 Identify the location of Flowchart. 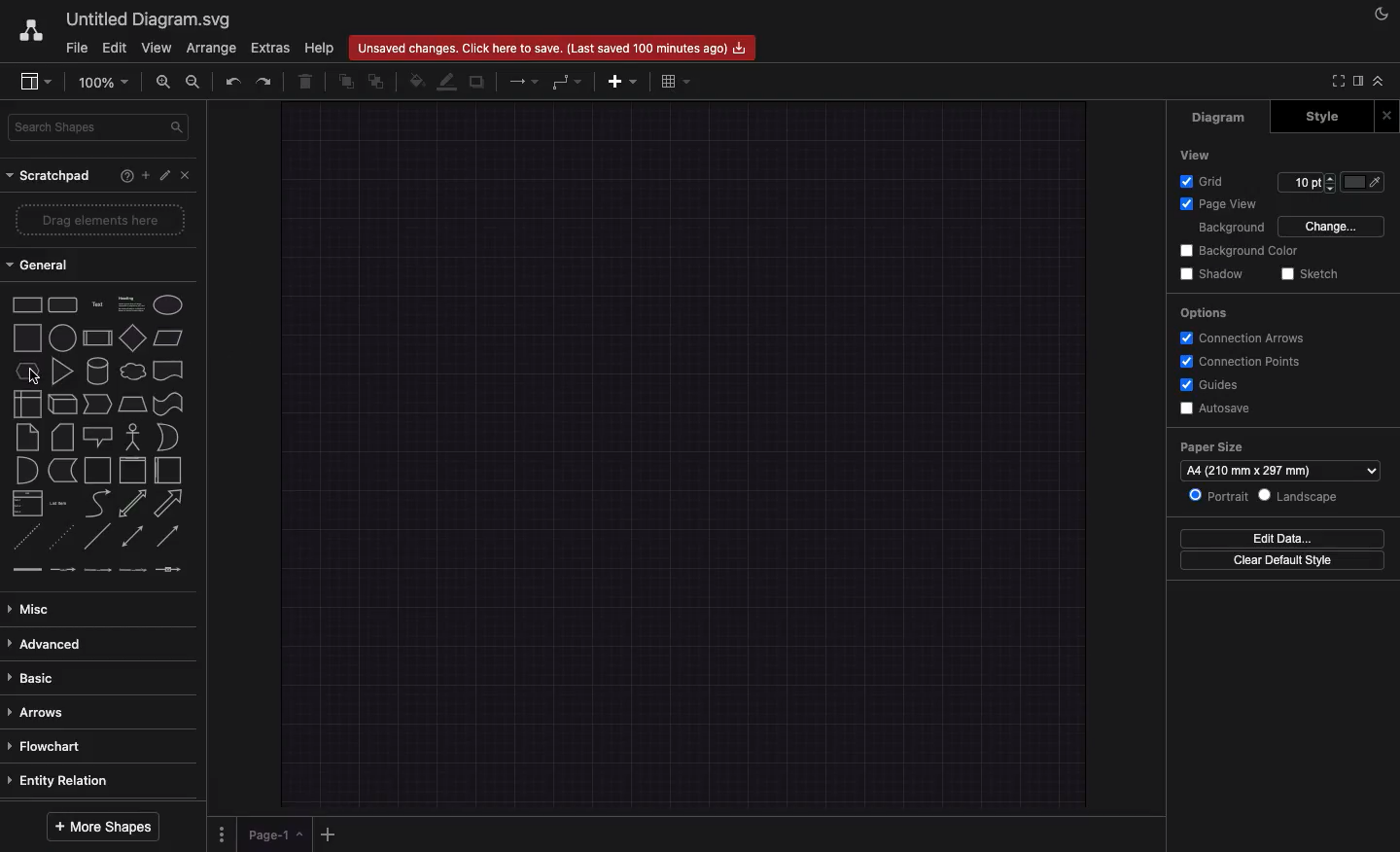
(48, 748).